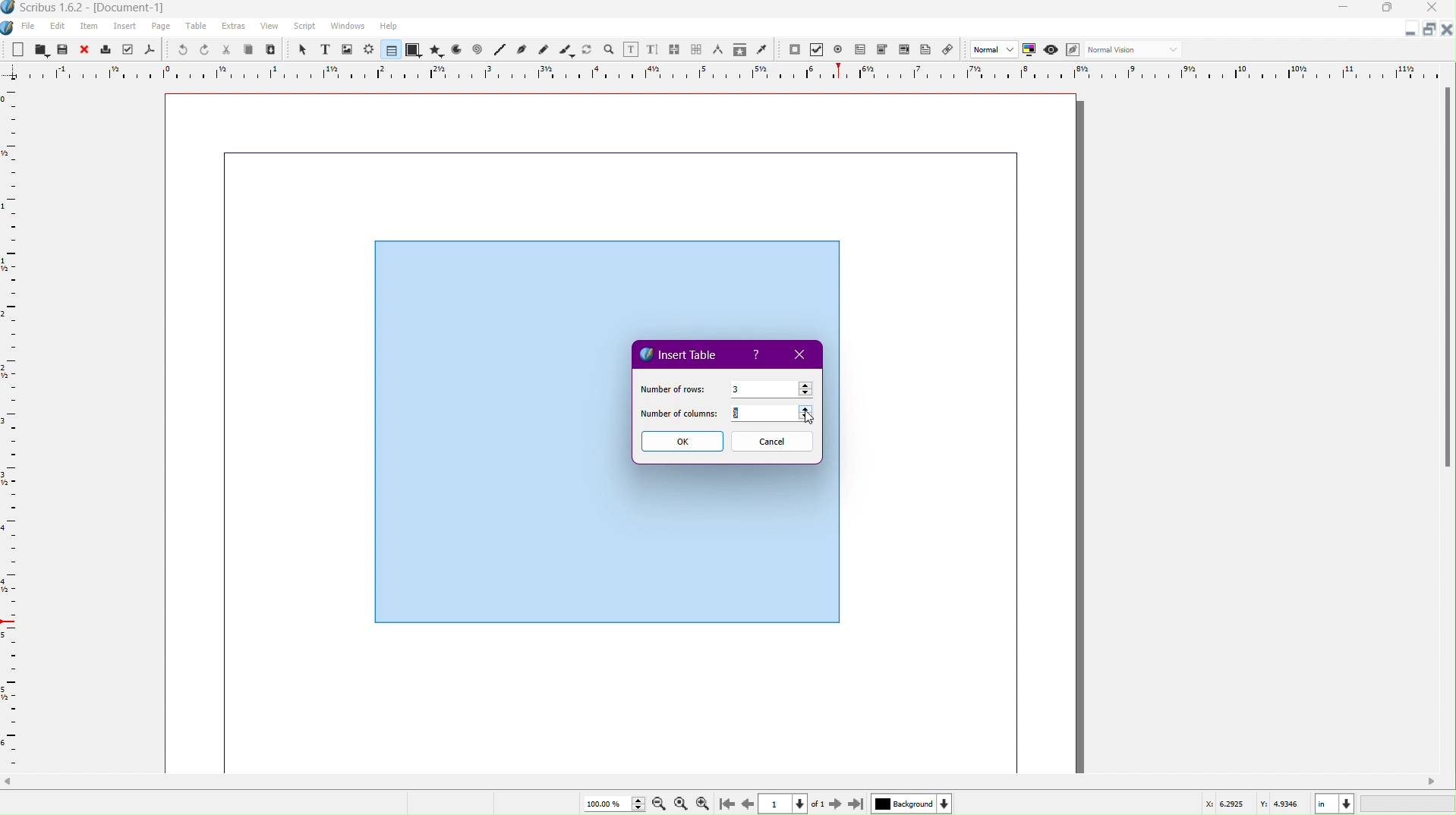 The image size is (1456, 815). I want to click on Coordinates, so click(1325, 802).